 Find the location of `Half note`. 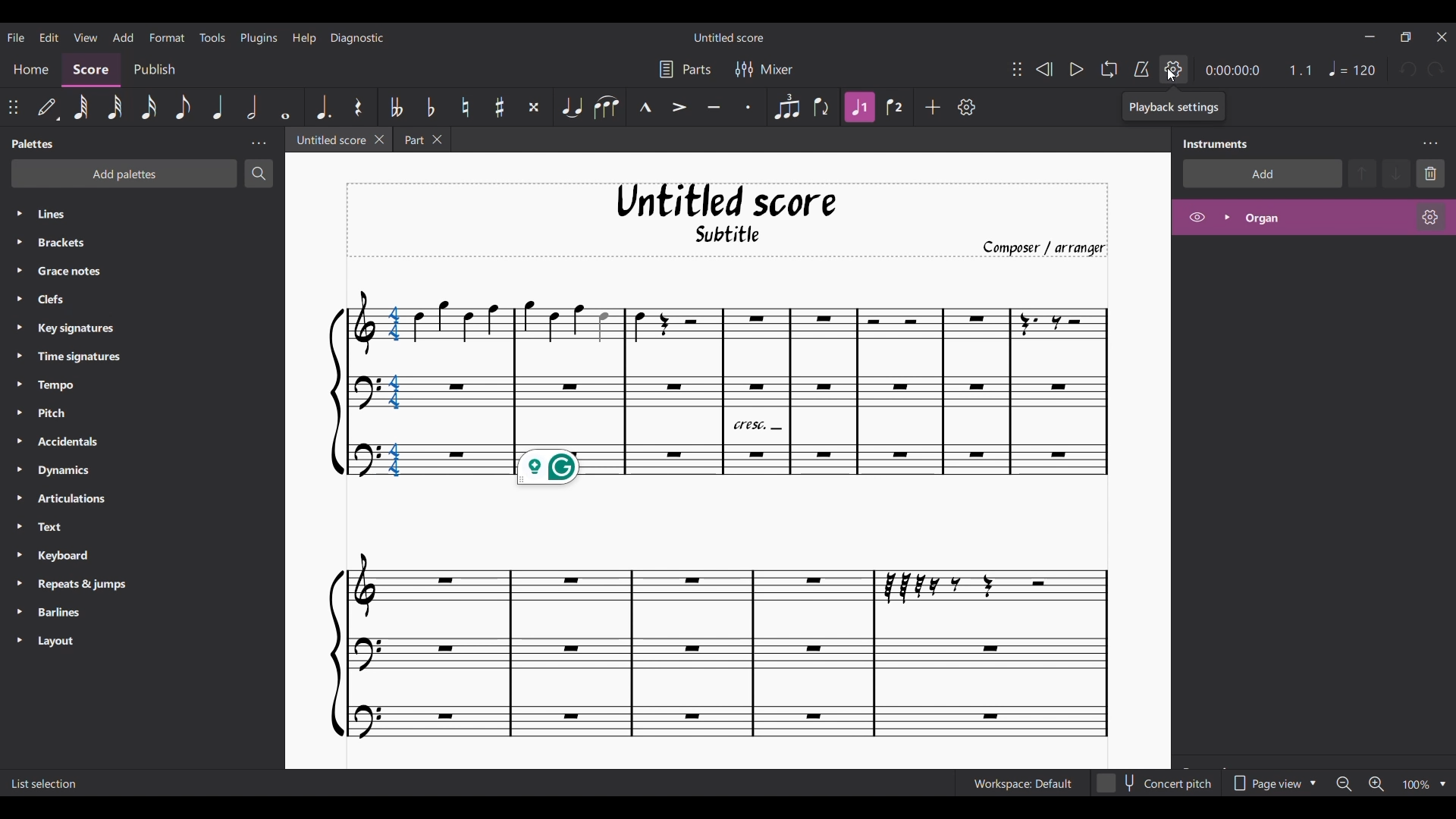

Half note is located at coordinates (252, 107).